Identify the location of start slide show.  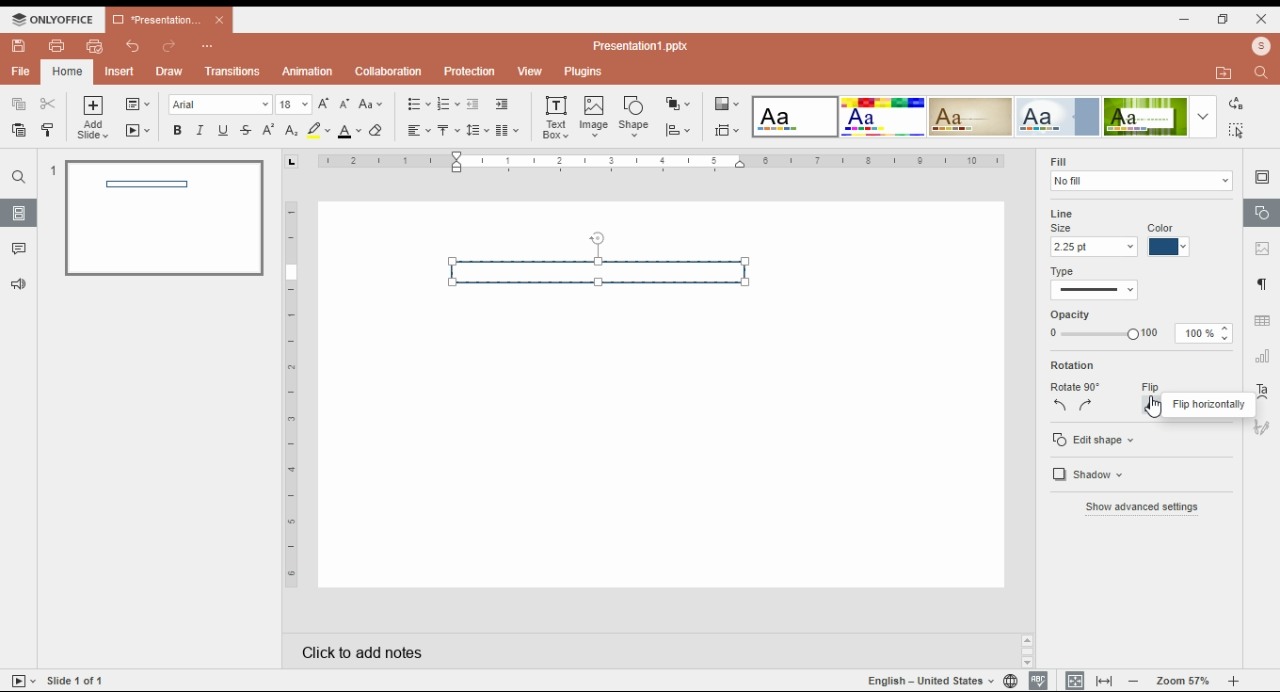
(138, 131).